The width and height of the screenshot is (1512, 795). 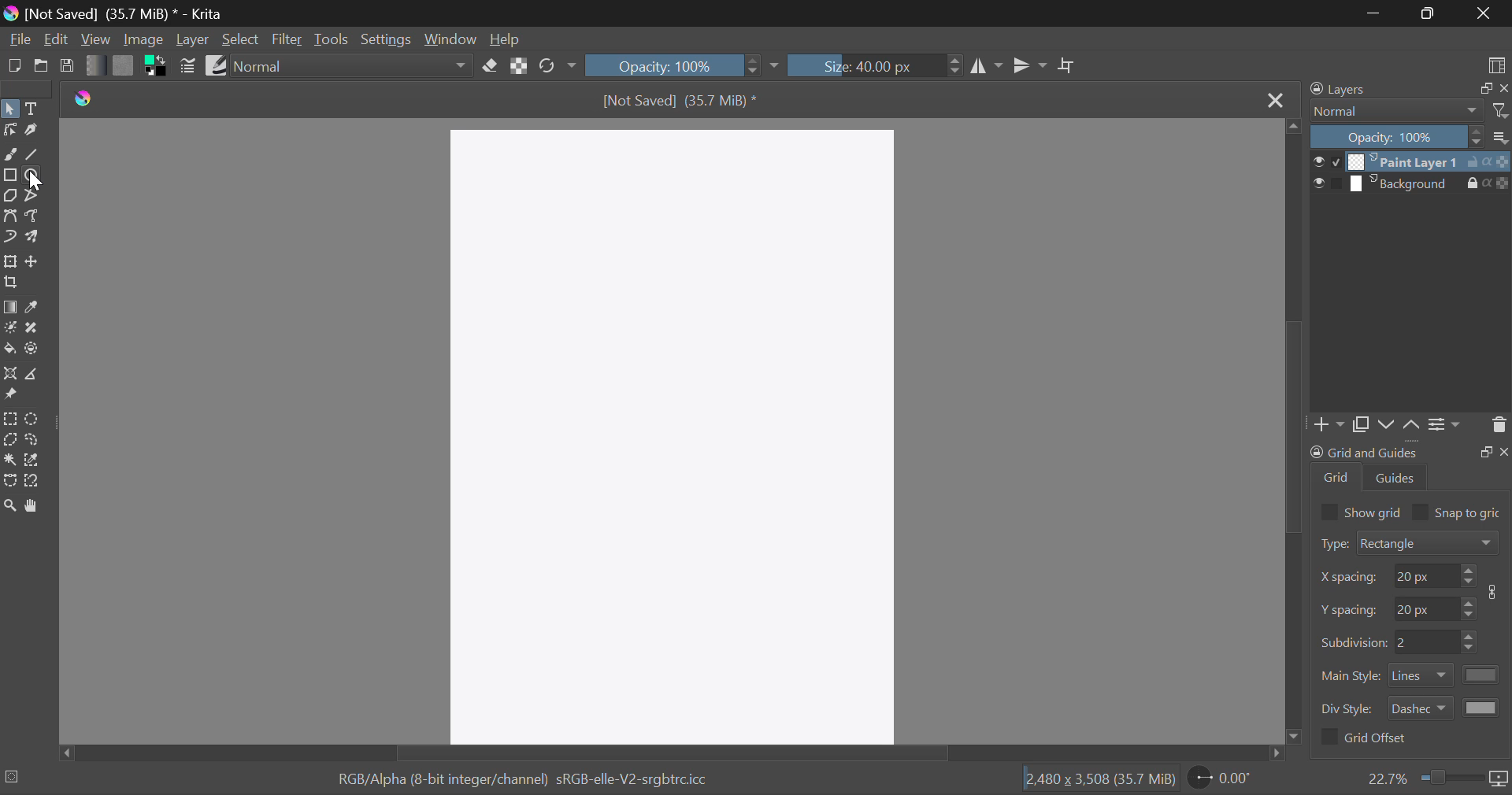 What do you see at coordinates (1410, 469) in the screenshot?
I see `Grid and Guides Docker Tab` at bounding box center [1410, 469].